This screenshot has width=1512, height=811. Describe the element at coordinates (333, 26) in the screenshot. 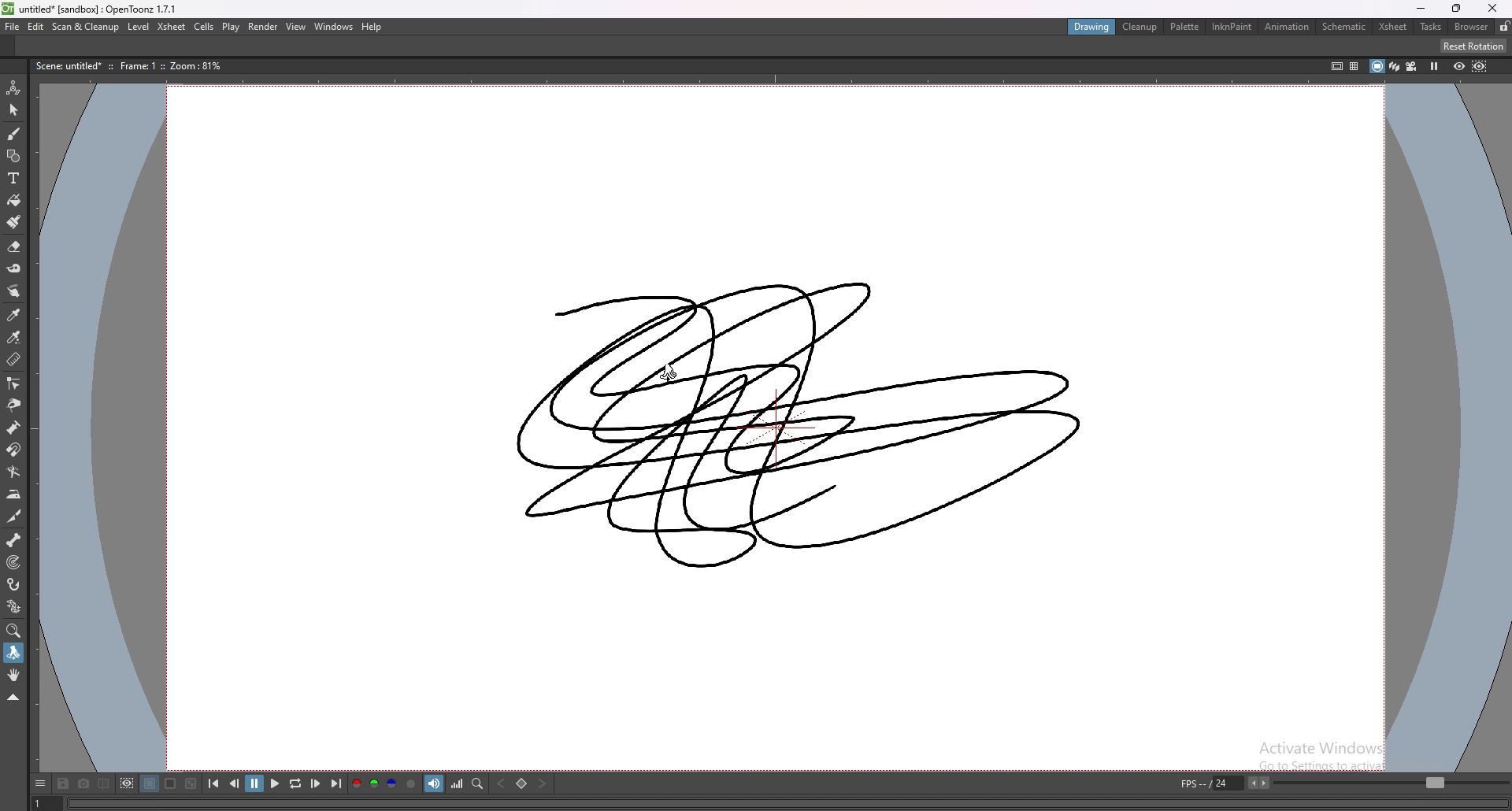

I see `windows` at that location.